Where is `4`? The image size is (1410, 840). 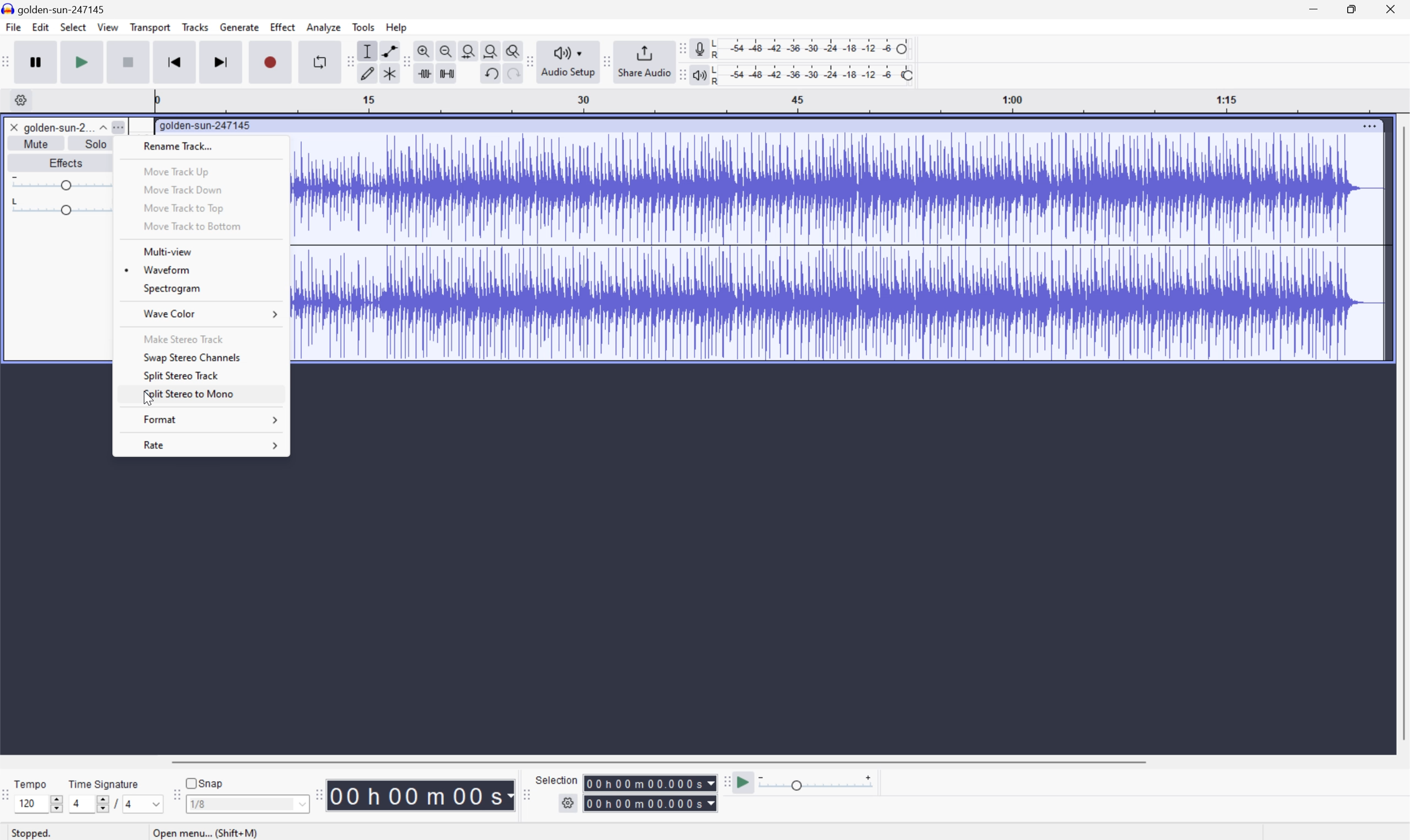
4 is located at coordinates (77, 802).